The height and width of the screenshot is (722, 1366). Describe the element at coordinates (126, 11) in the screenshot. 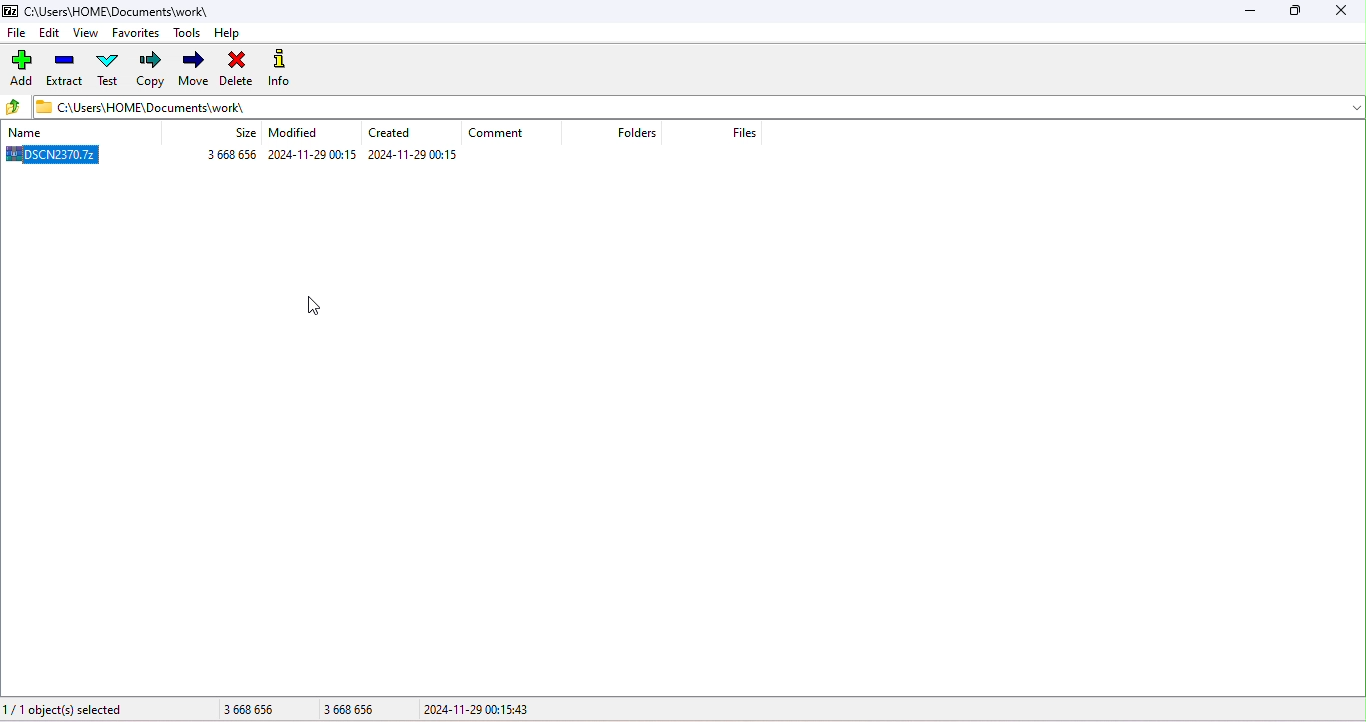

I see `c\users\home\documents\work\` at that location.